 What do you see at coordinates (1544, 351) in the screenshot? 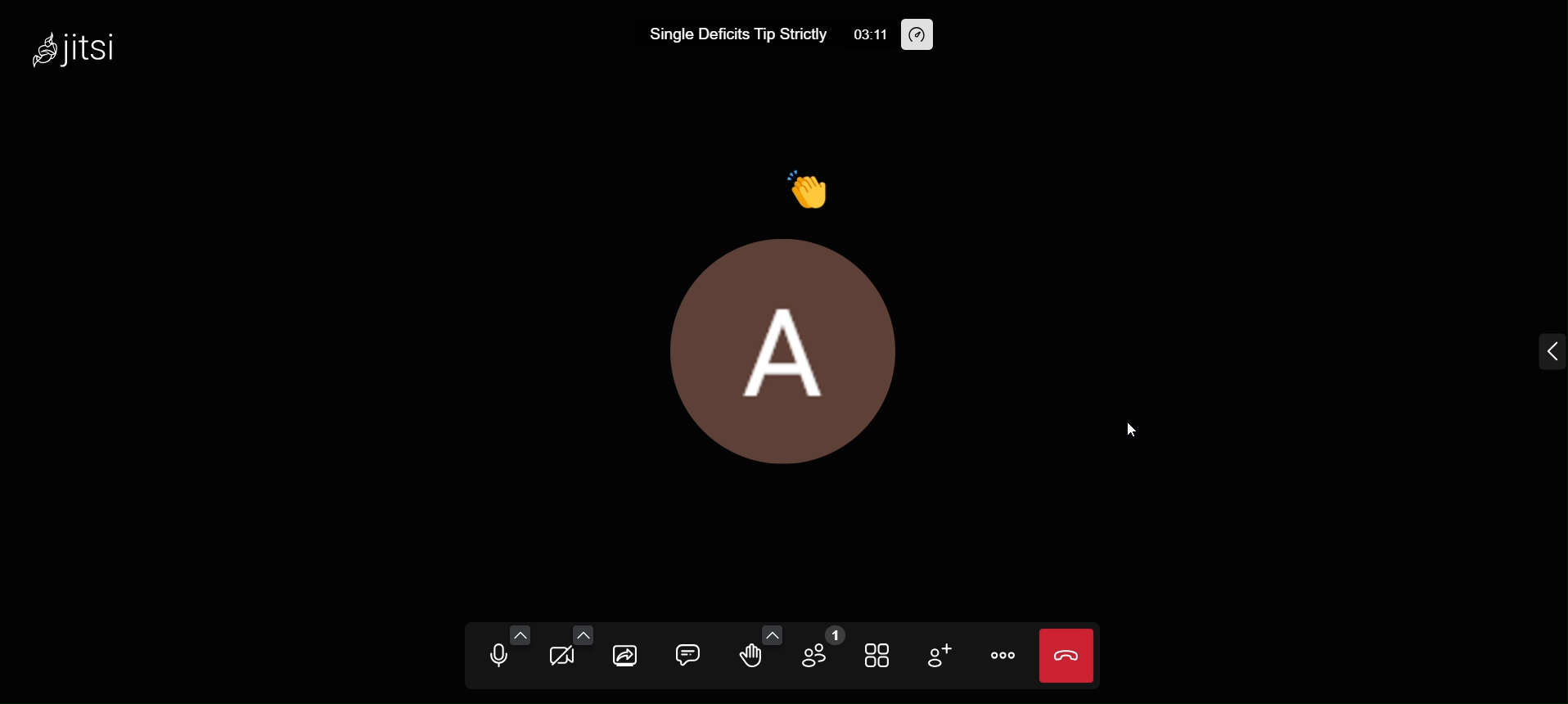
I see `expand` at bounding box center [1544, 351].